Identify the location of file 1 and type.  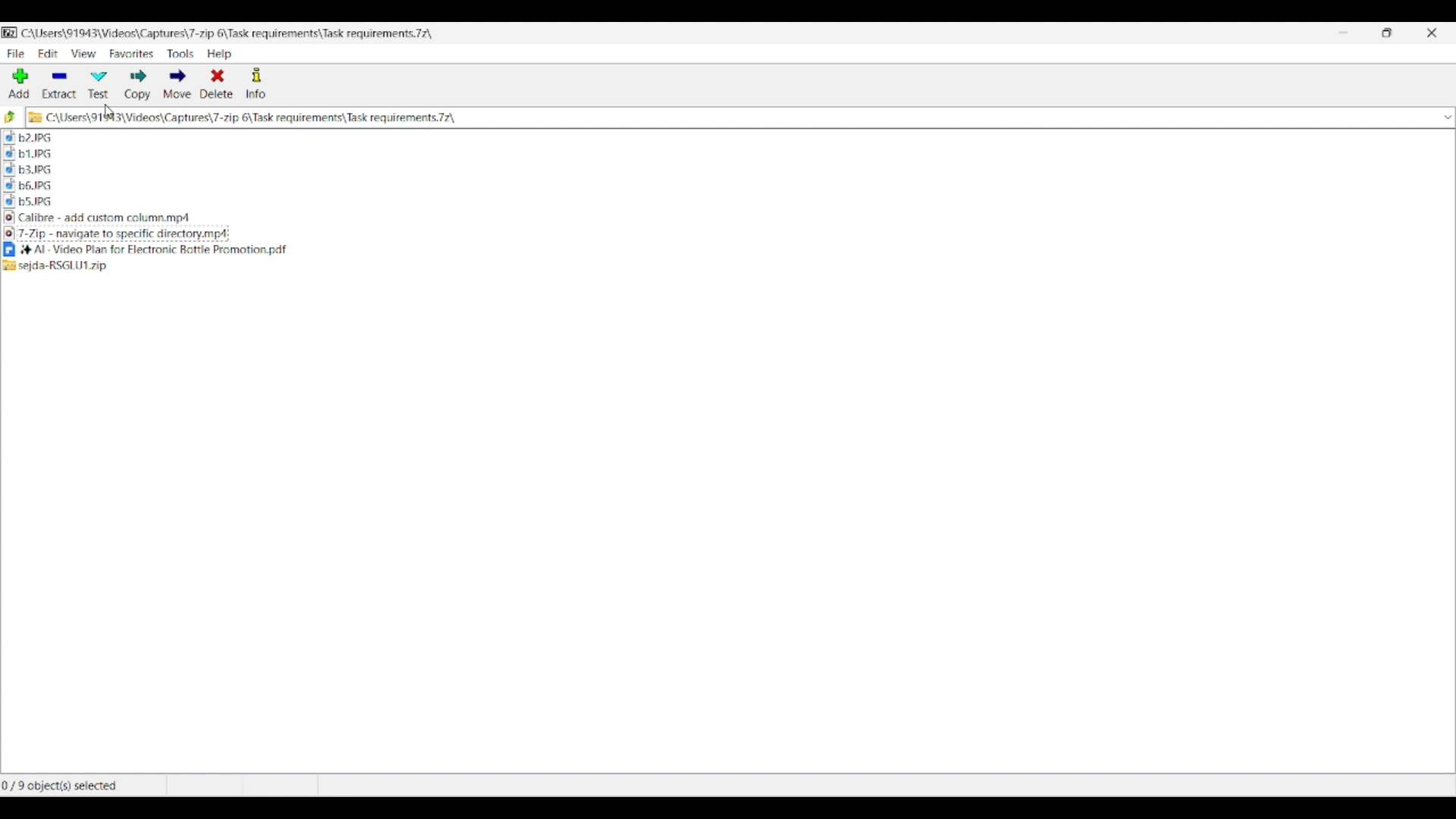
(413, 251).